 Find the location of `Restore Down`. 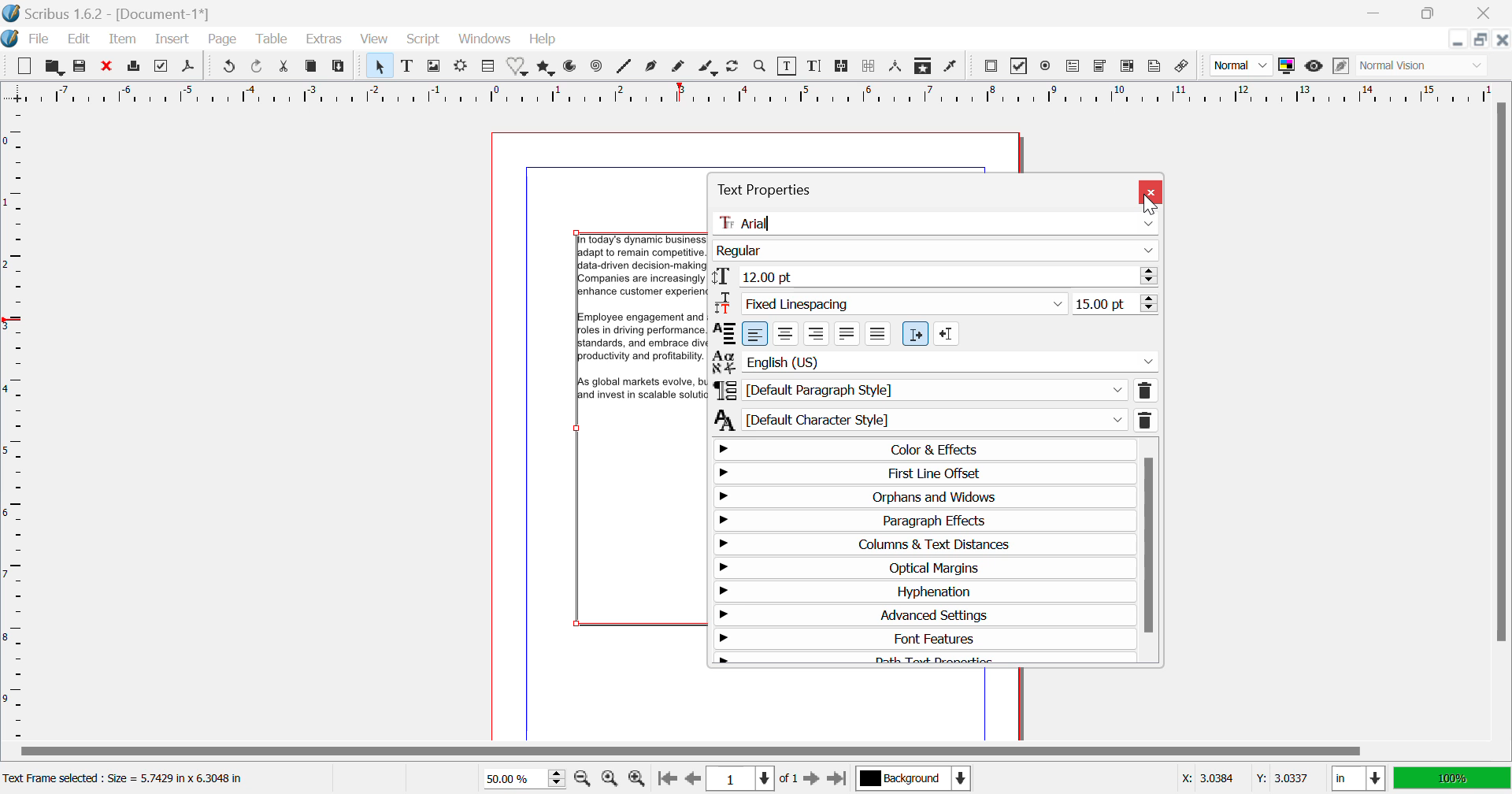

Restore Down is located at coordinates (1379, 12).